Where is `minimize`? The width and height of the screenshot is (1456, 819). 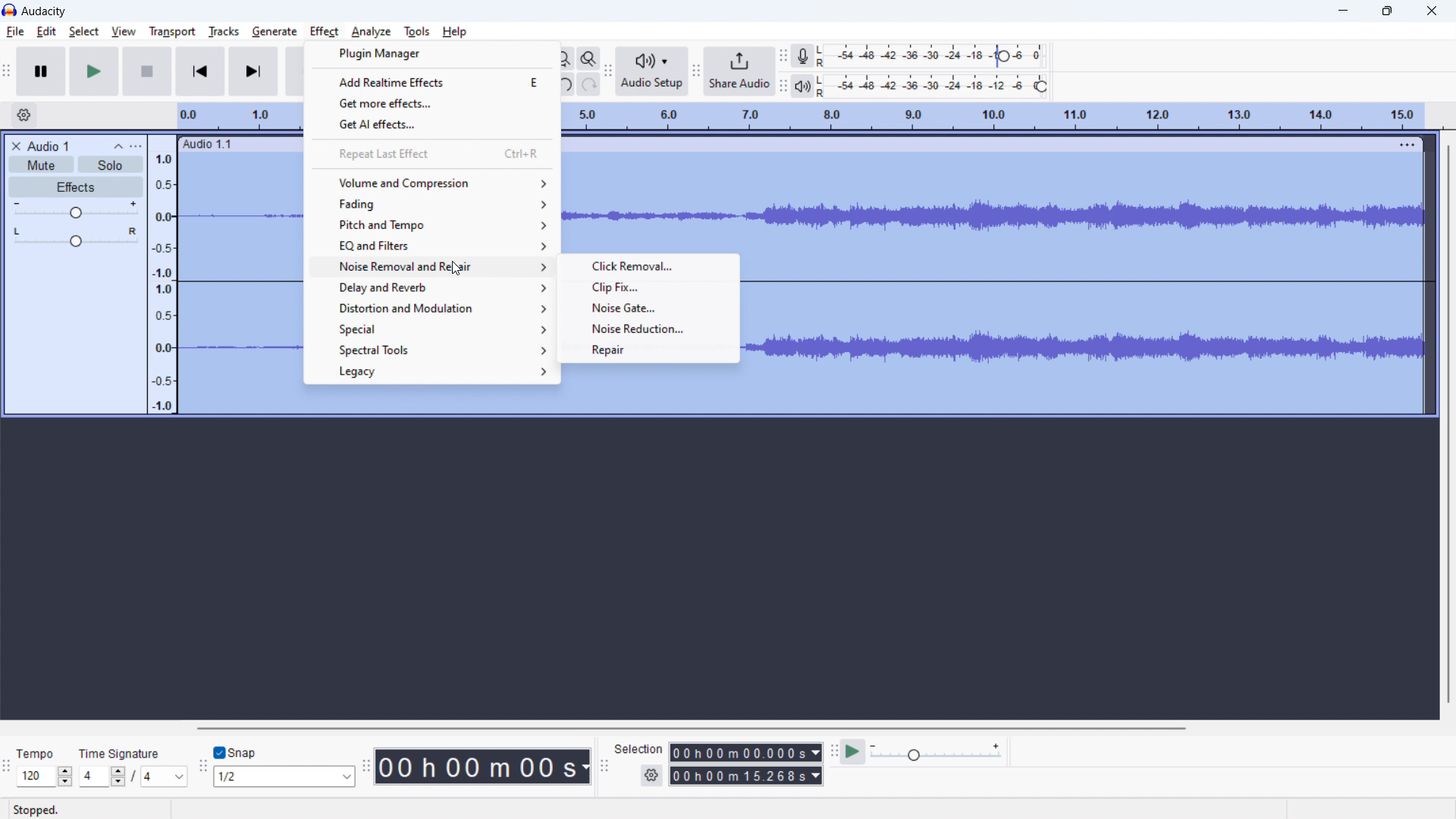
minimize is located at coordinates (1344, 13).